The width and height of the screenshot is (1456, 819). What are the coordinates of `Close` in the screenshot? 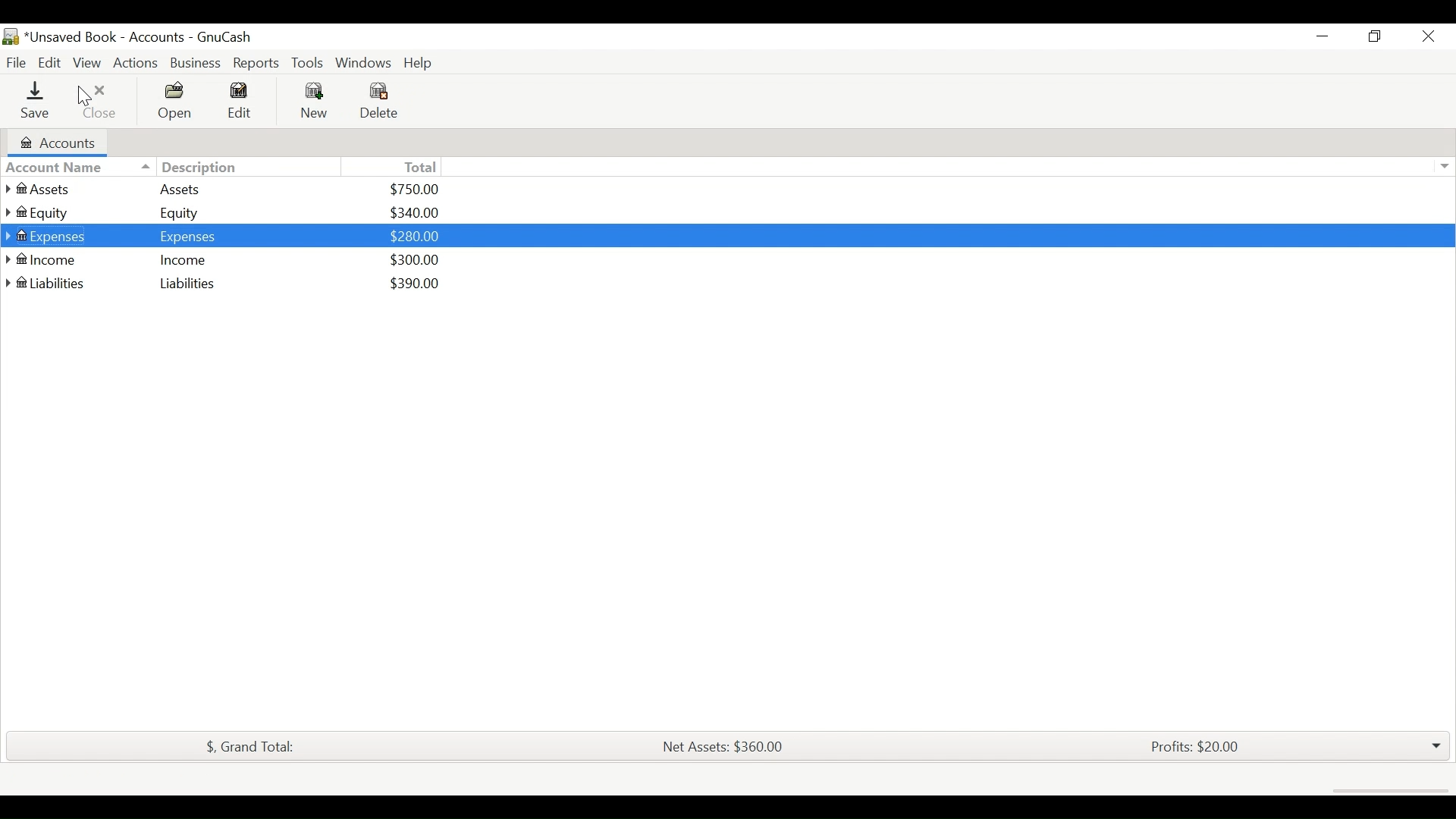 It's located at (94, 101).